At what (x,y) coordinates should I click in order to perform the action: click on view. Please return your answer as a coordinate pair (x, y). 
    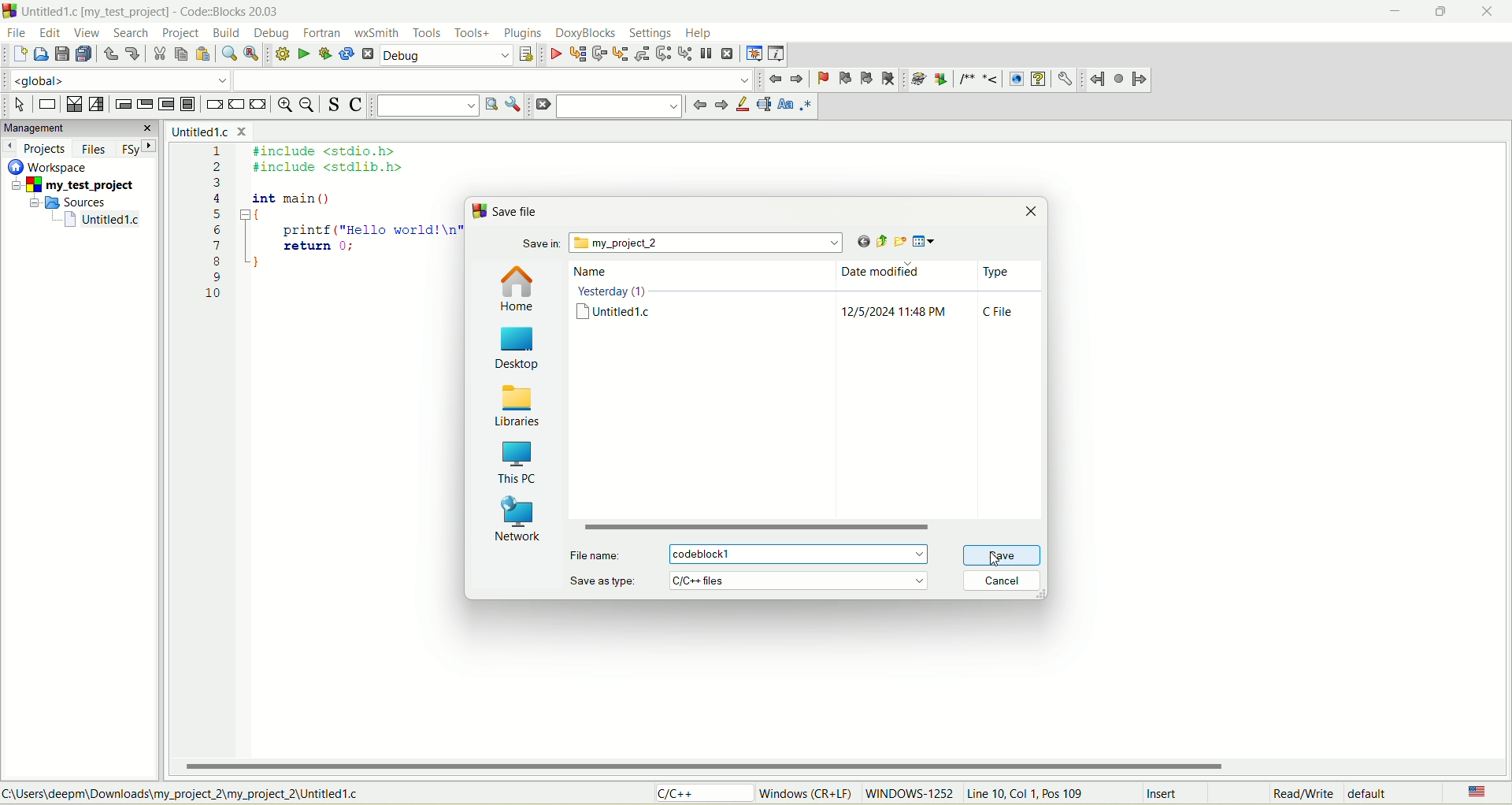
    Looking at the image, I should click on (928, 242).